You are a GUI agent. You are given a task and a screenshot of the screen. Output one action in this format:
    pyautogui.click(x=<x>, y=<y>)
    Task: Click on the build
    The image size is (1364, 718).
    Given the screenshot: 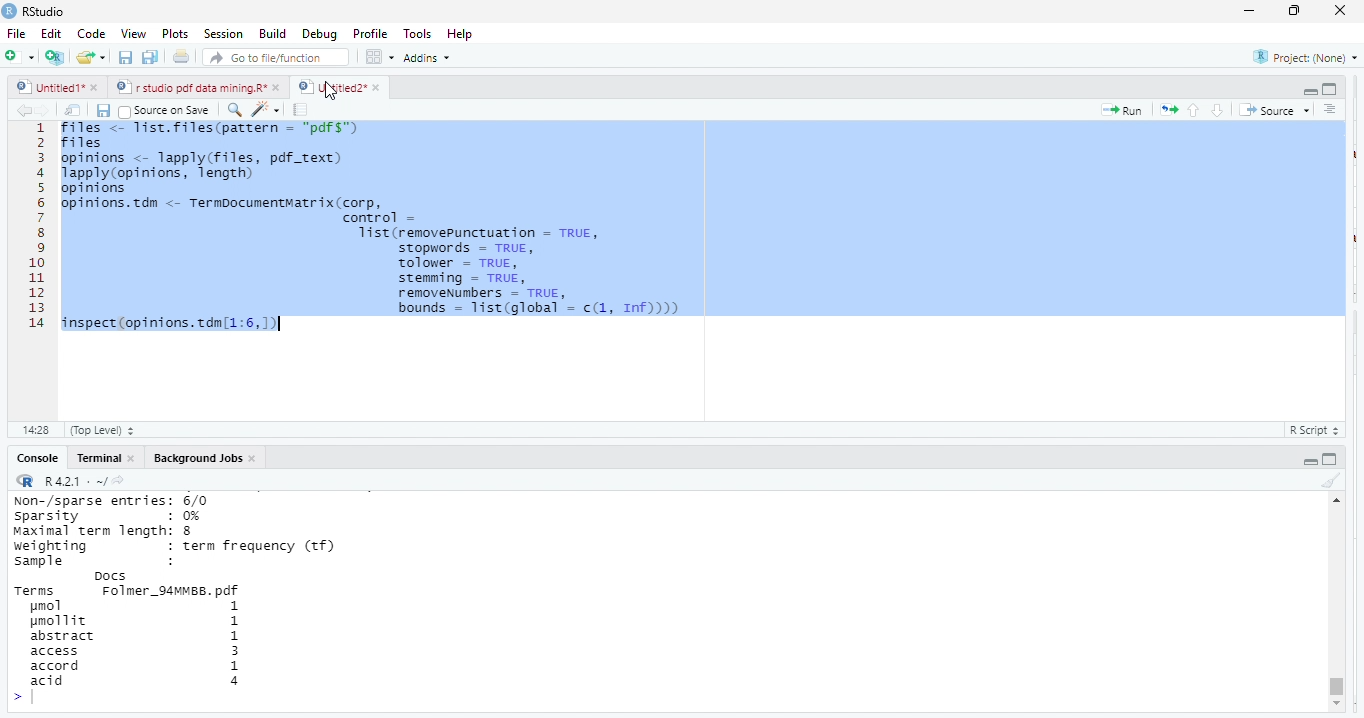 What is the action you would take?
    pyautogui.click(x=273, y=33)
    